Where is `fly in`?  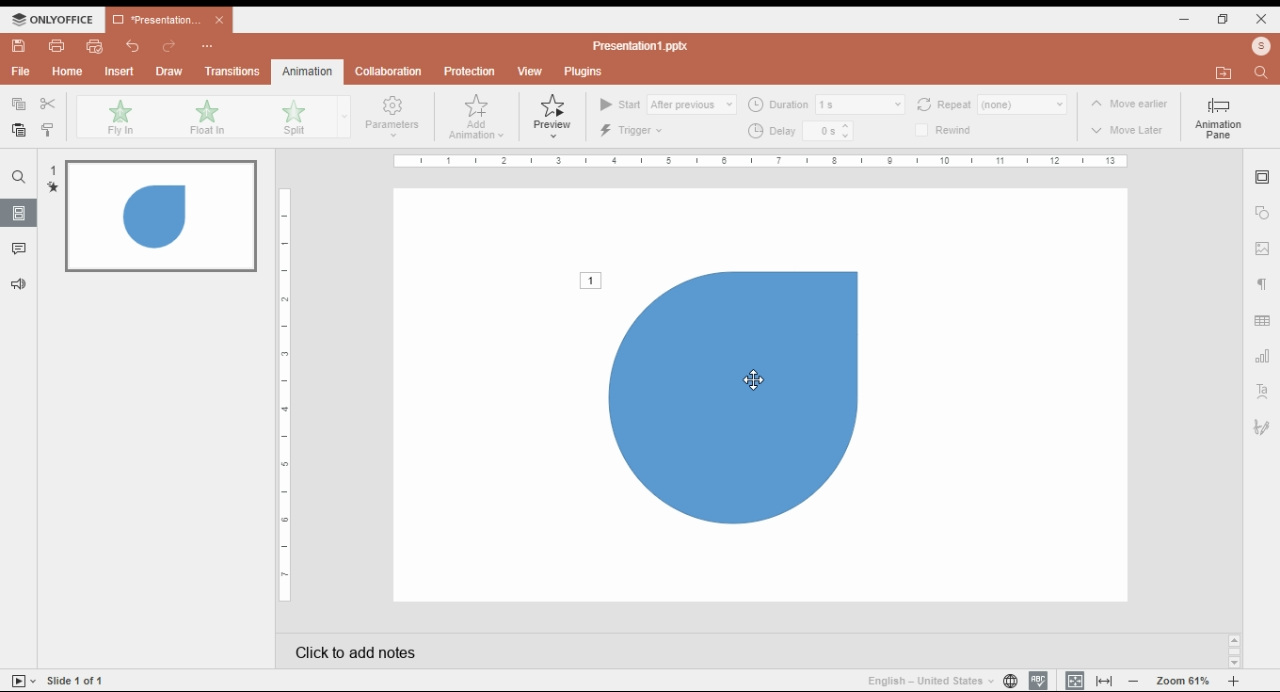 fly in is located at coordinates (119, 117).